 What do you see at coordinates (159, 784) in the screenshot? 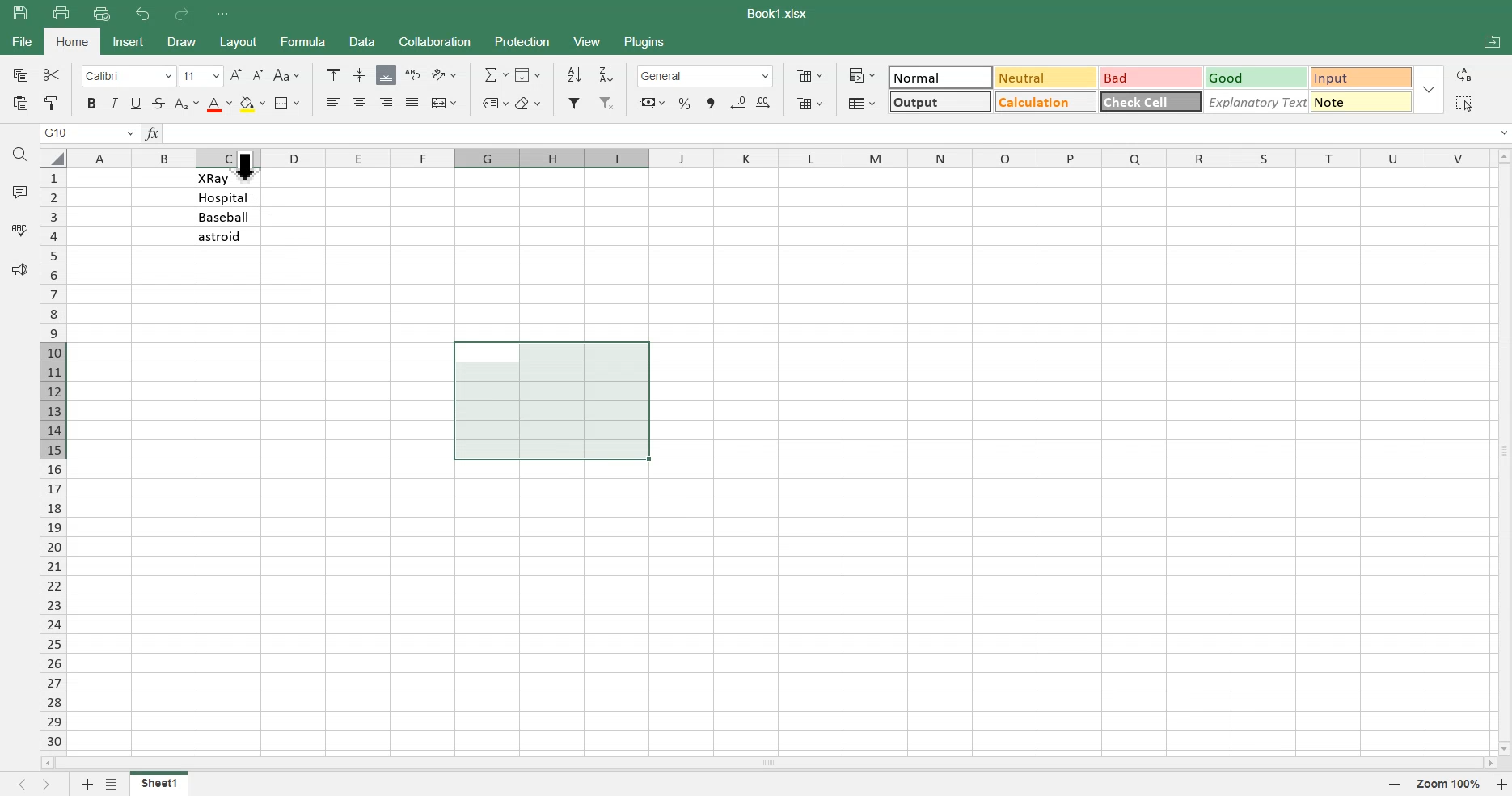
I see `File` at bounding box center [159, 784].